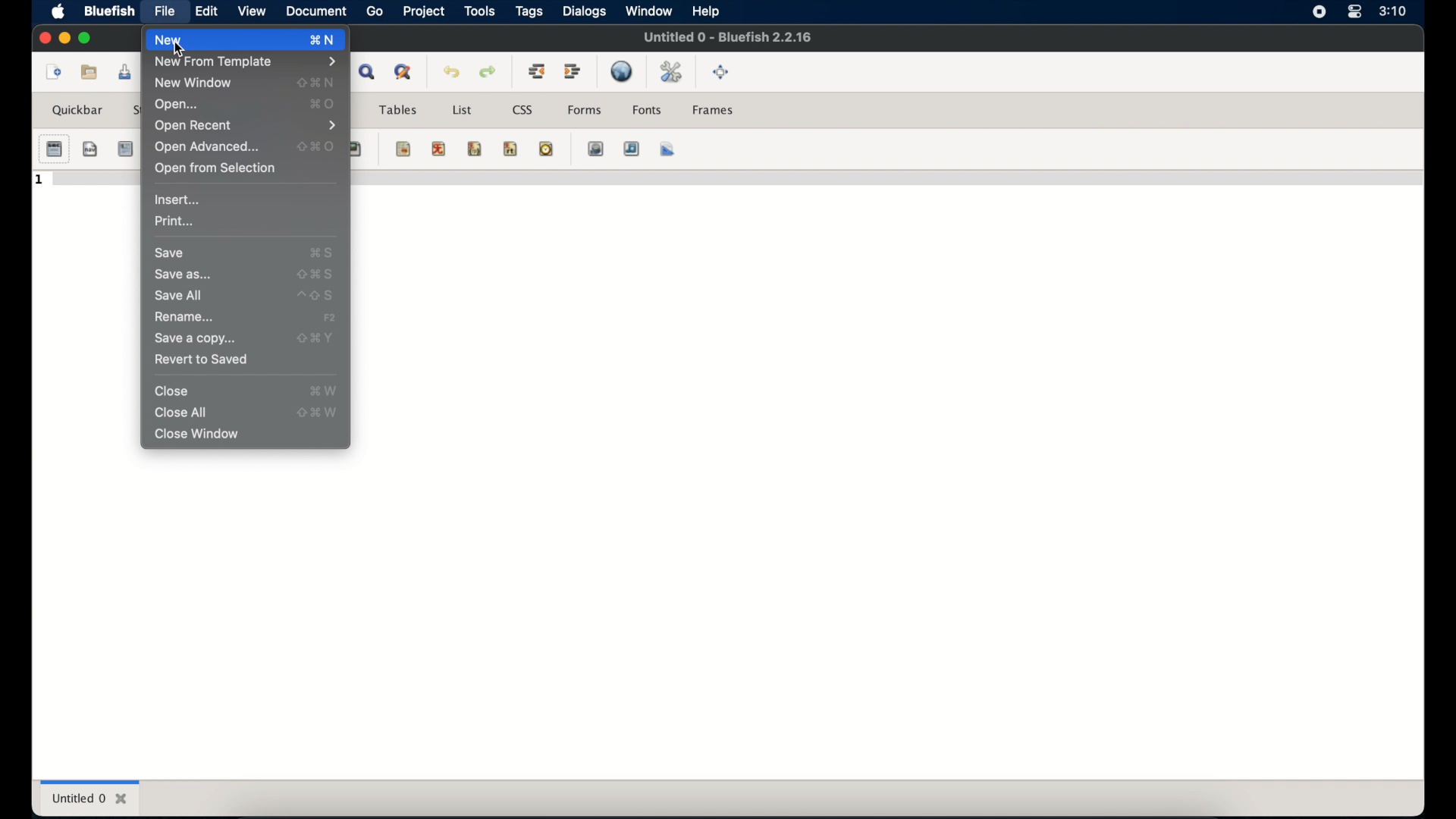 The width and height of the screenshot is (1456, 819). I want to click on close all , so click(181, 413).